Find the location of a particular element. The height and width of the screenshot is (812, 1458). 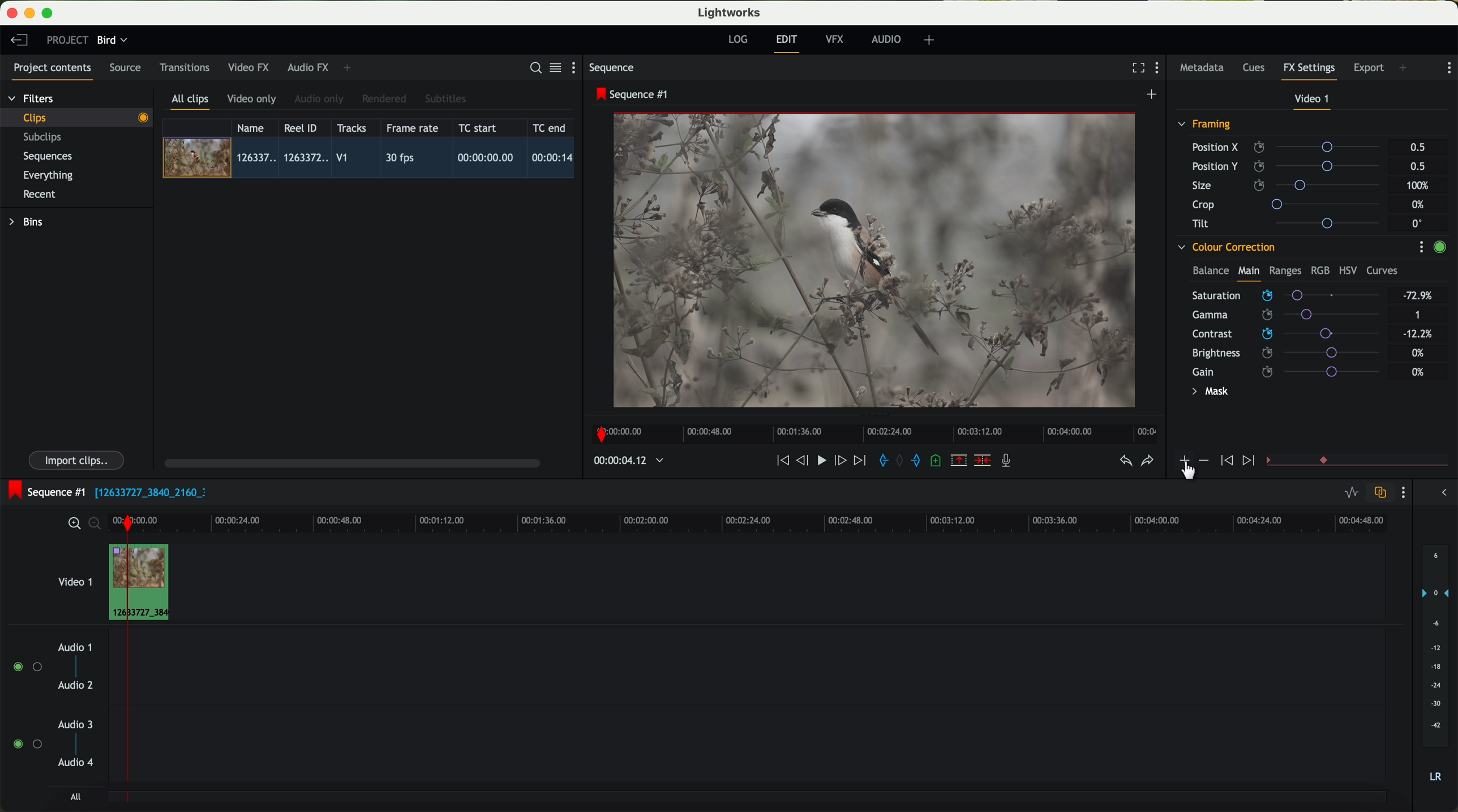

add a cue at the current position is located at coordinates (937, 461).